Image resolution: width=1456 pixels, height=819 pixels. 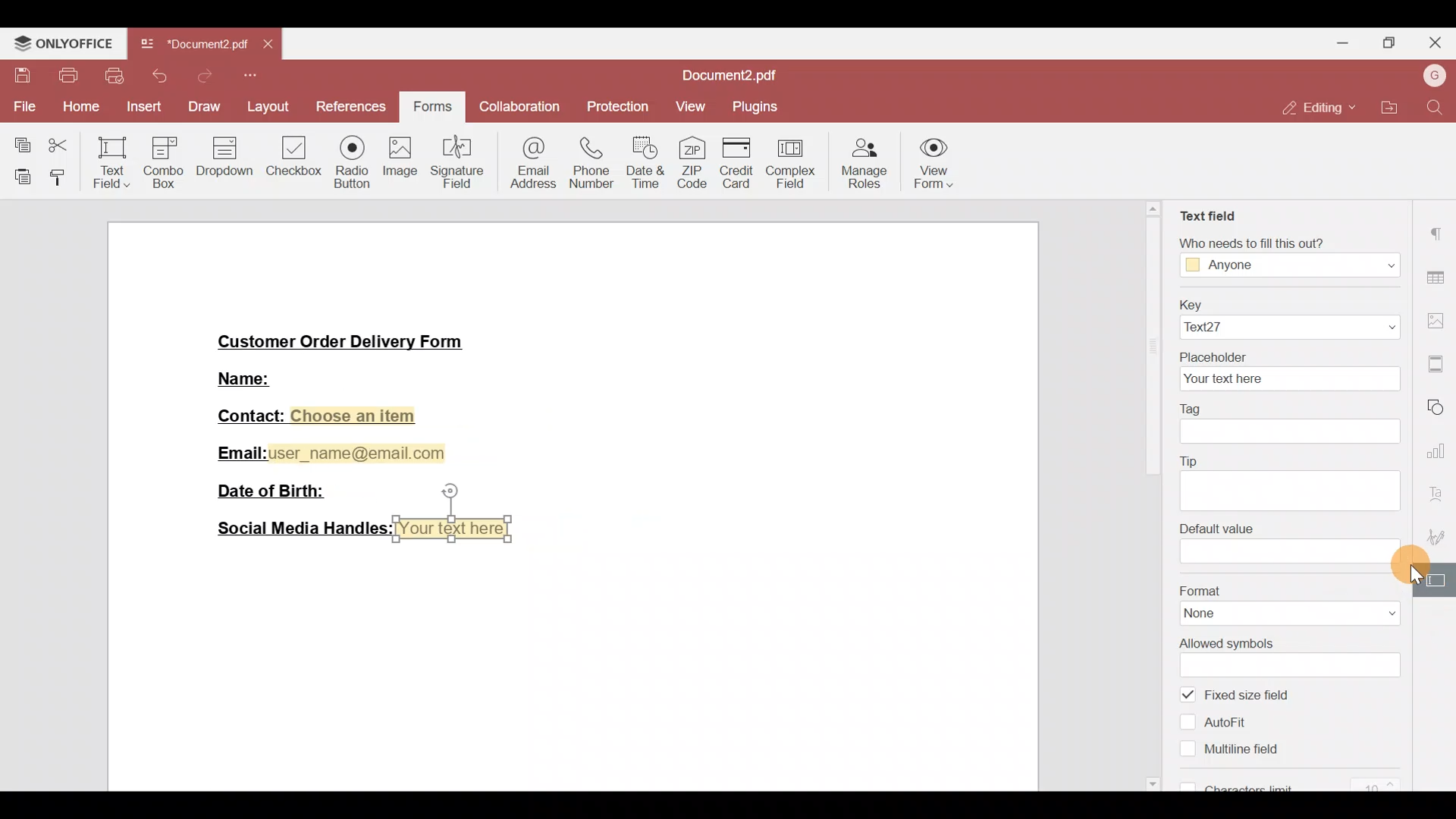 What do you see at coordinates (79, 108) in the screenshot?
I see `Home` at bounding box center [79, 108].